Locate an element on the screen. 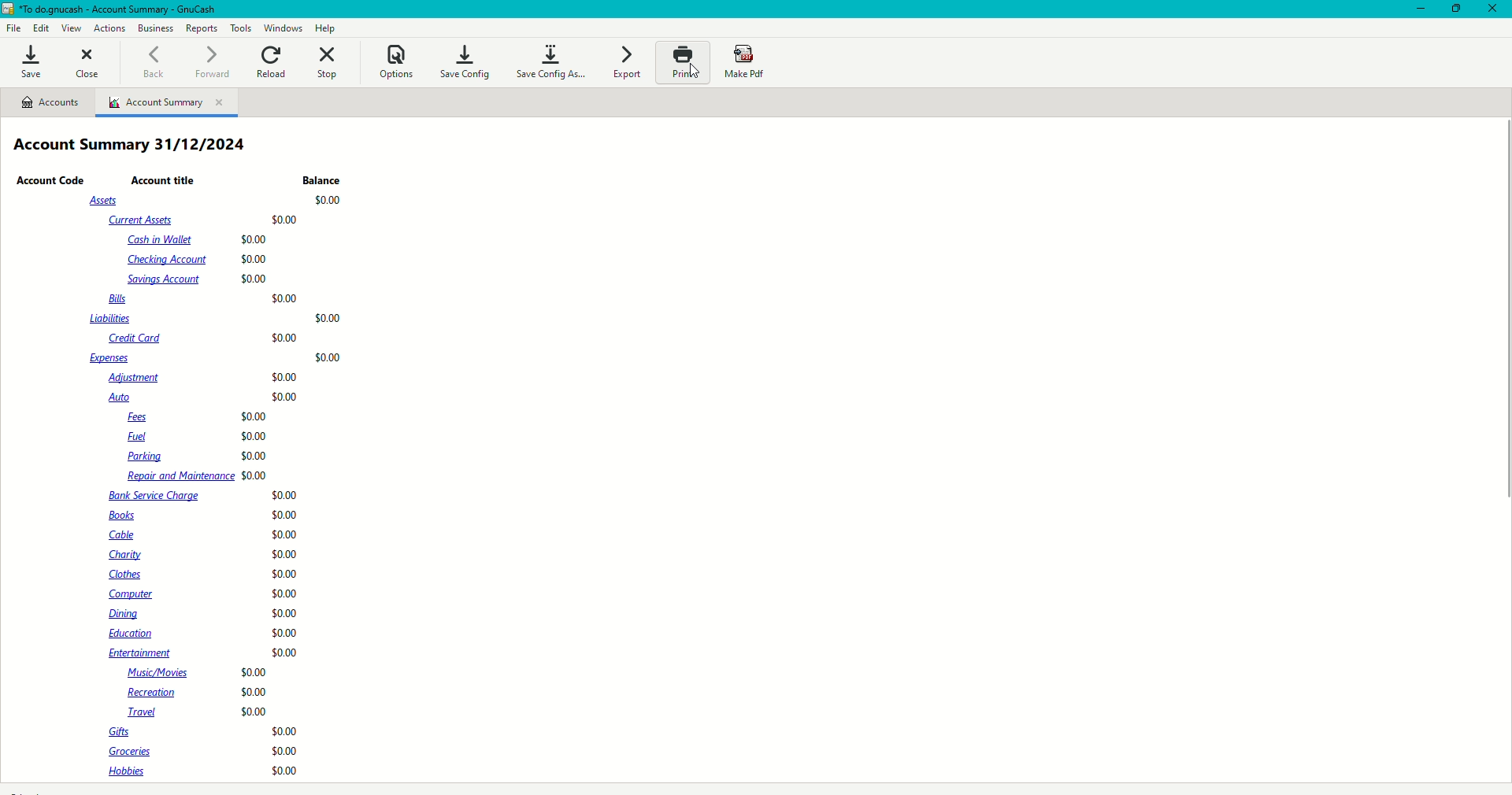 The width and height of the screenshot is (1512, 795). Save Config as is located at coordinates (550, 60).